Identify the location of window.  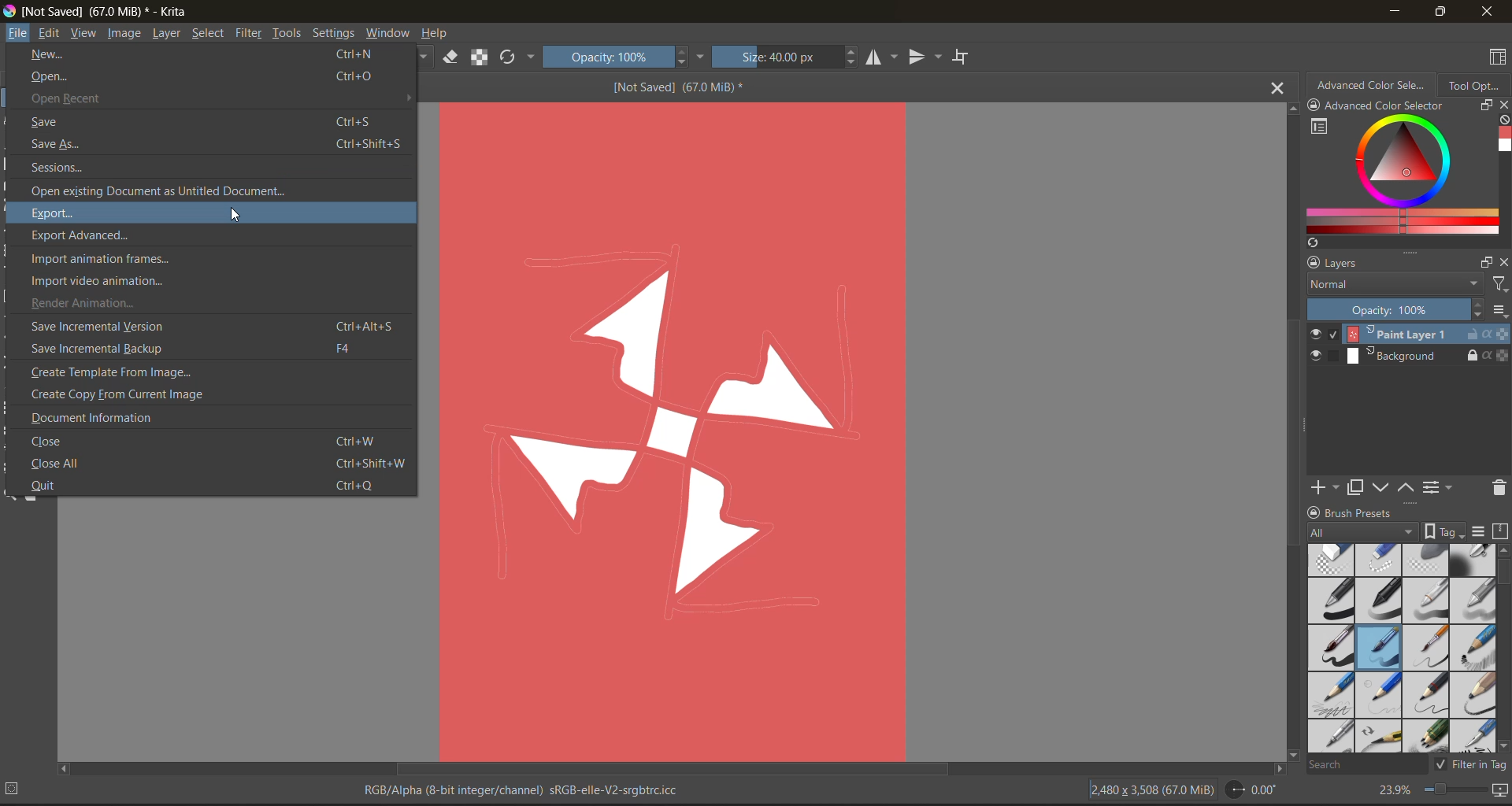
(390, 34).